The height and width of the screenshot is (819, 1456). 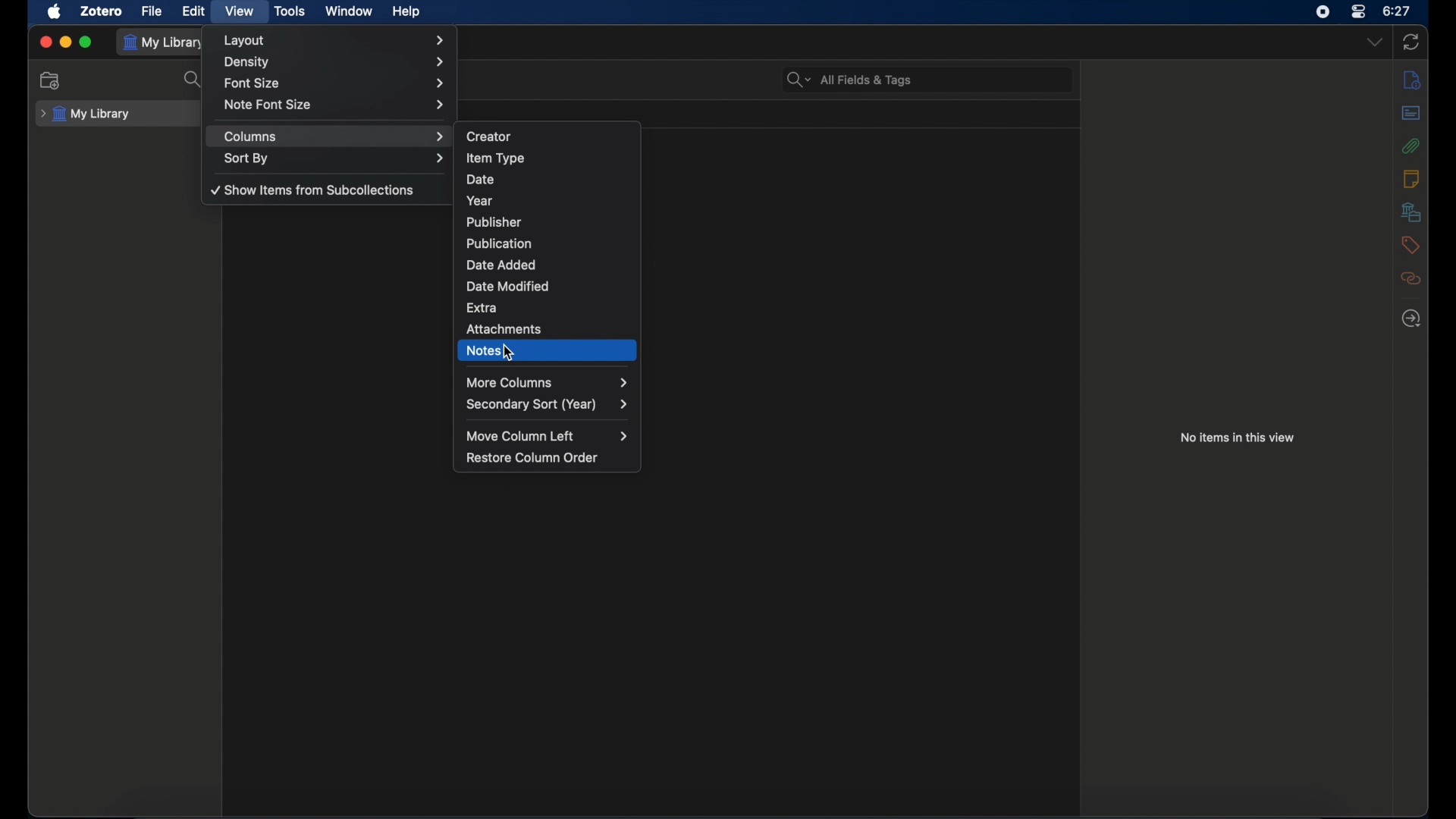 I want to click on close, so click(x=45, y=43).